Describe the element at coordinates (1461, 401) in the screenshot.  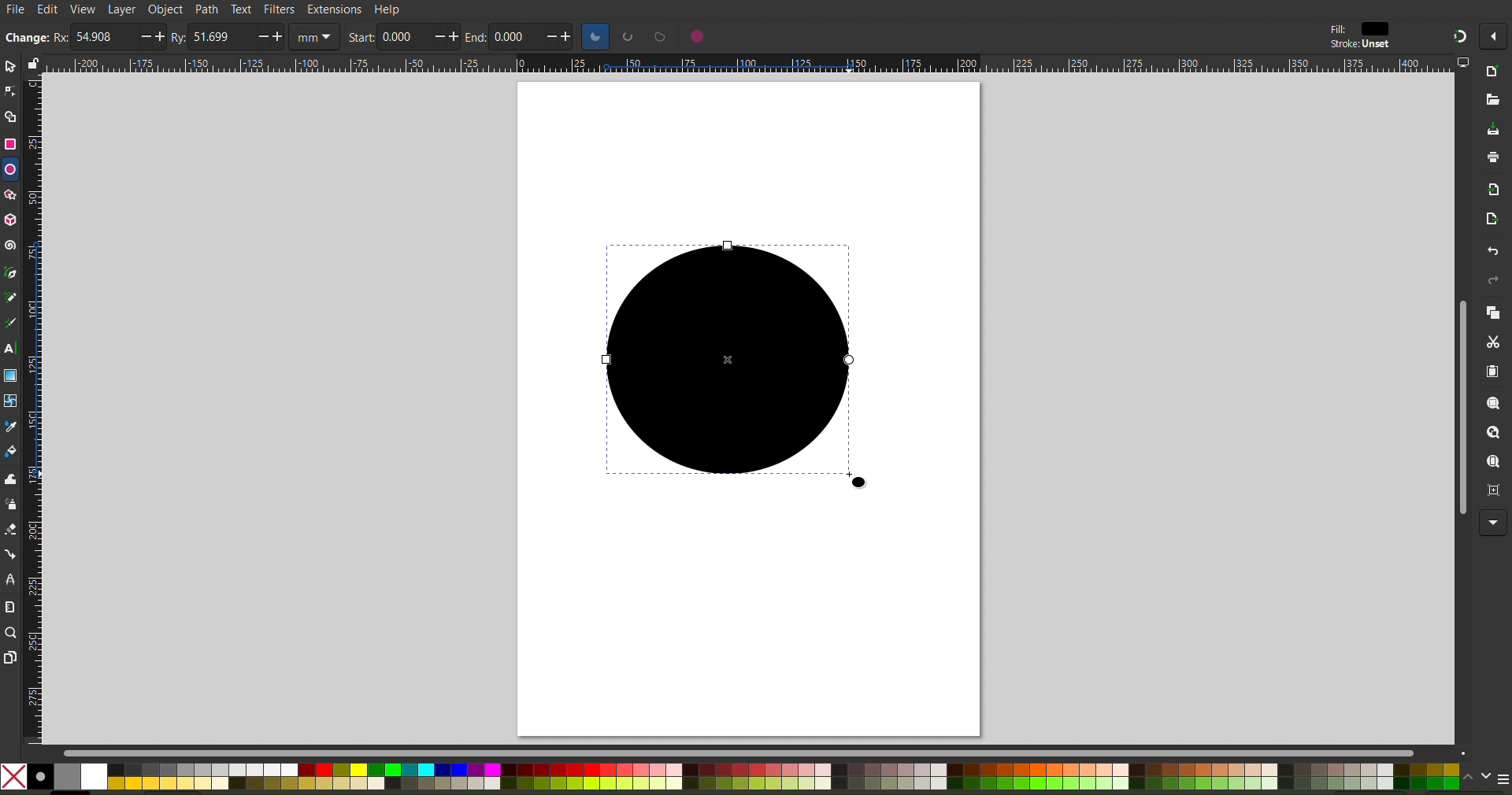
I see `Scrollbar` at that location.